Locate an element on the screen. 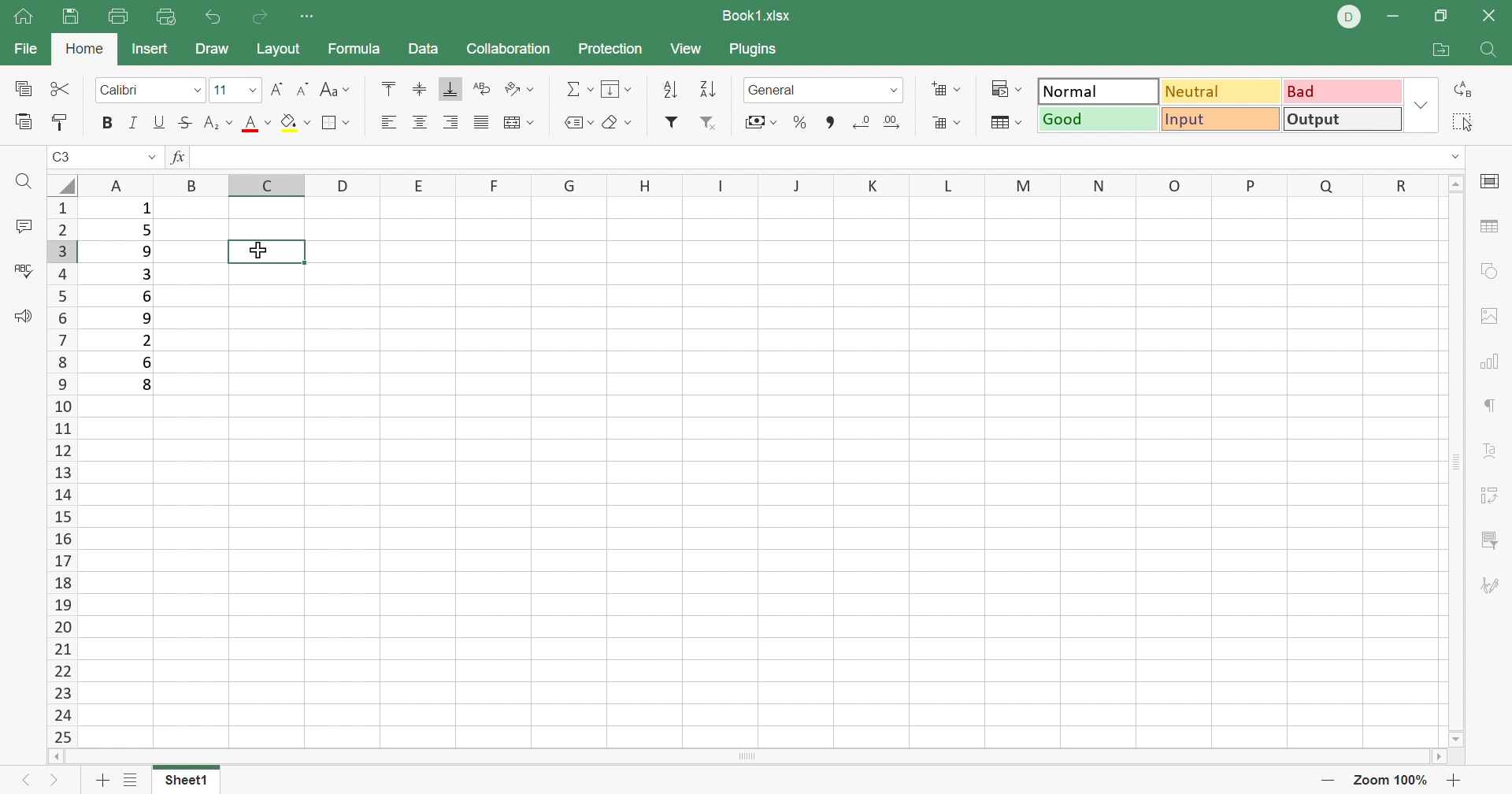  Drop Down is located at coordinates (895, 89).